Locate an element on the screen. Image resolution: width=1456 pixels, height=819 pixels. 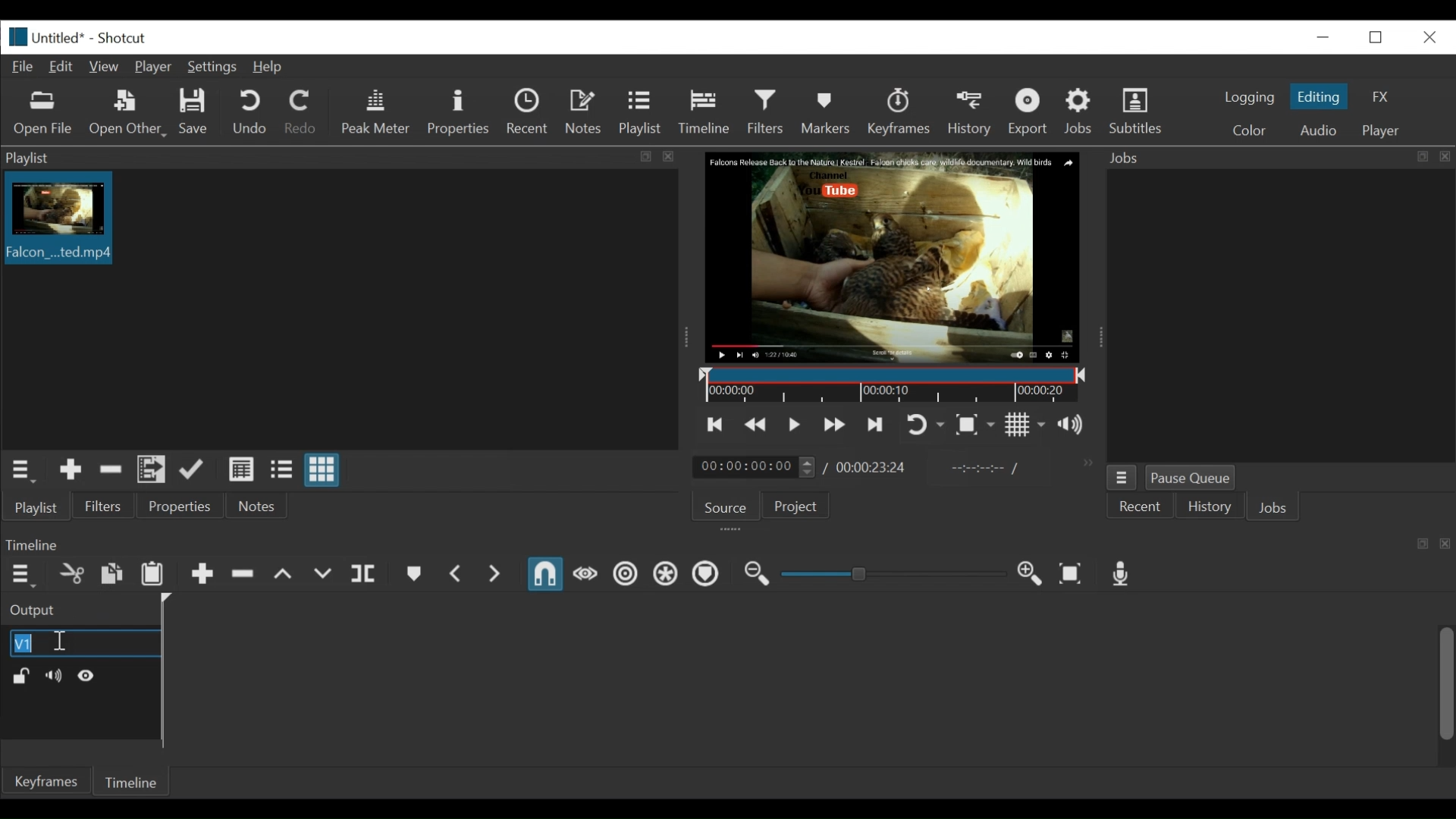
Playlist is located at coordinates (644, 115).